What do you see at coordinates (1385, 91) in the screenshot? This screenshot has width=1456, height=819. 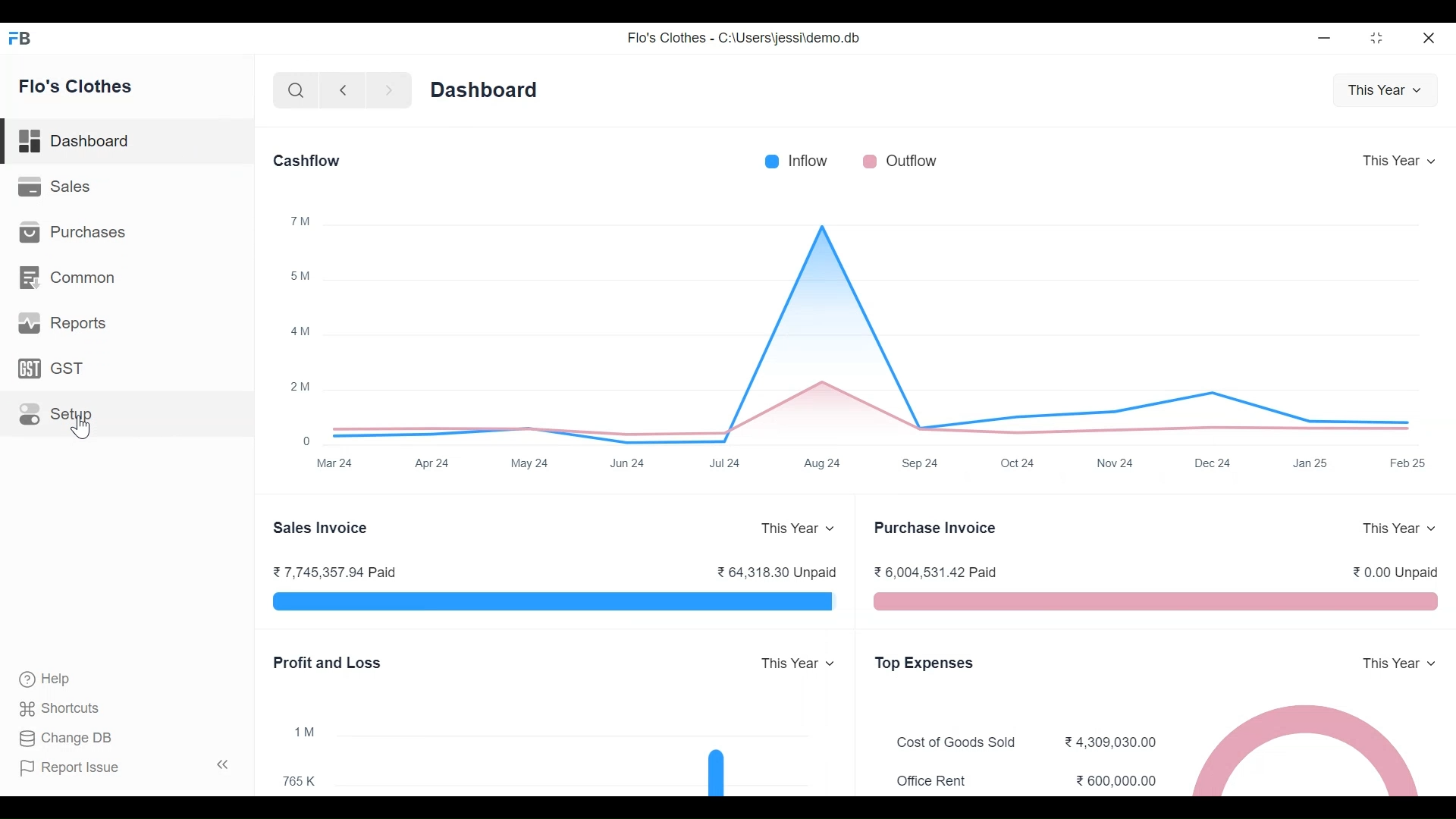 I see `this year` at bounding box center [1385, 91].